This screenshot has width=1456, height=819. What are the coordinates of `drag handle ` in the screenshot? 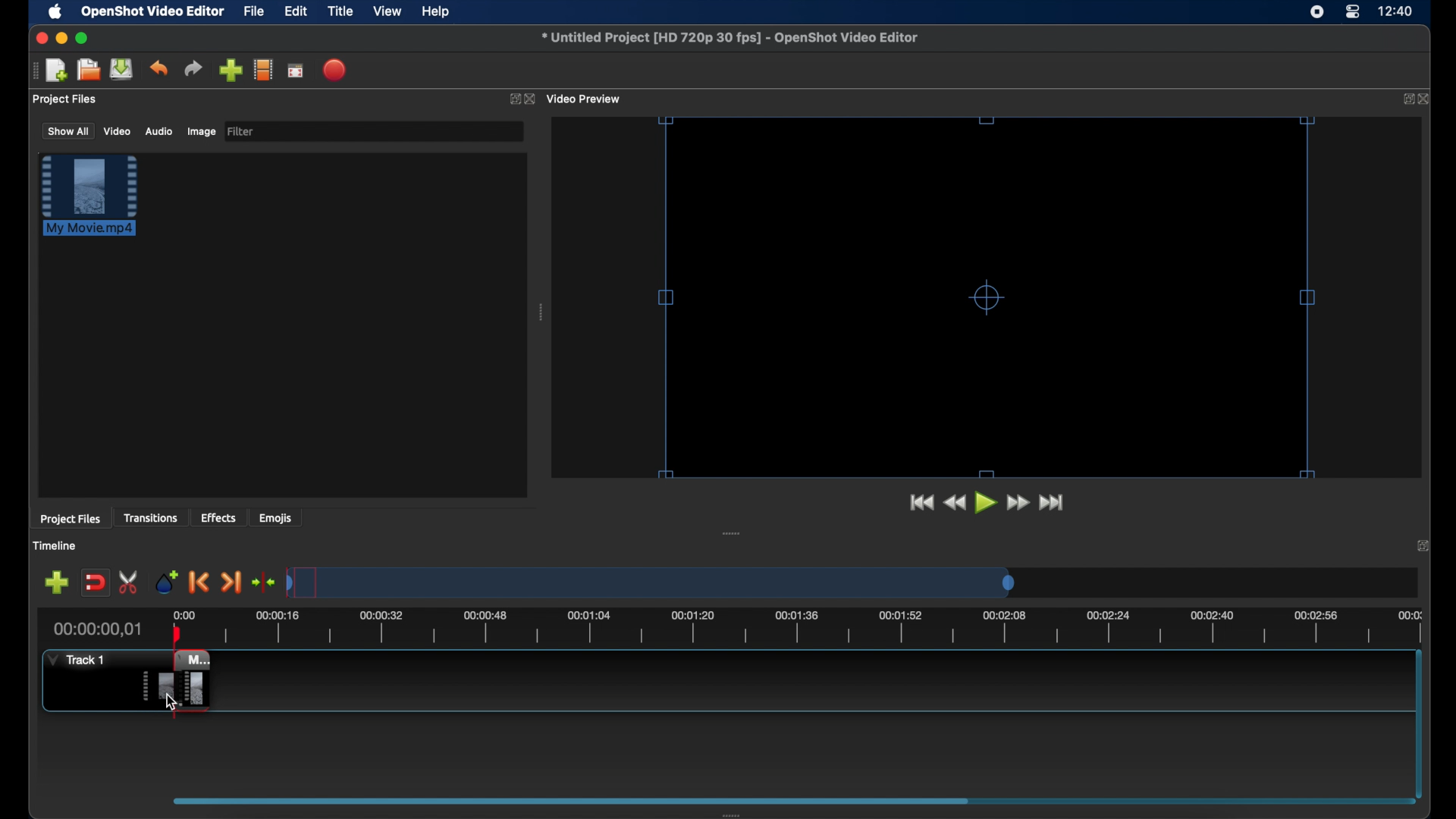 It's located at (741, 813).